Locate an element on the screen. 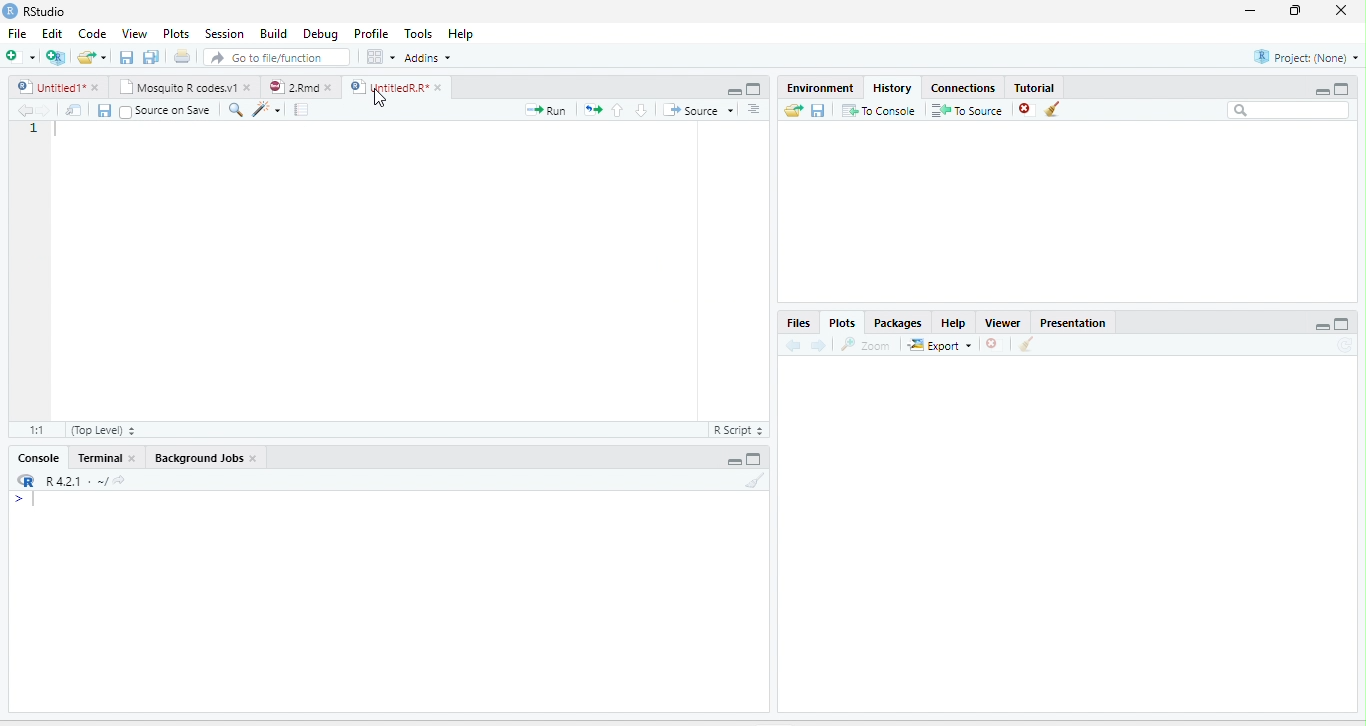  close is located at coordinates (131, 458).